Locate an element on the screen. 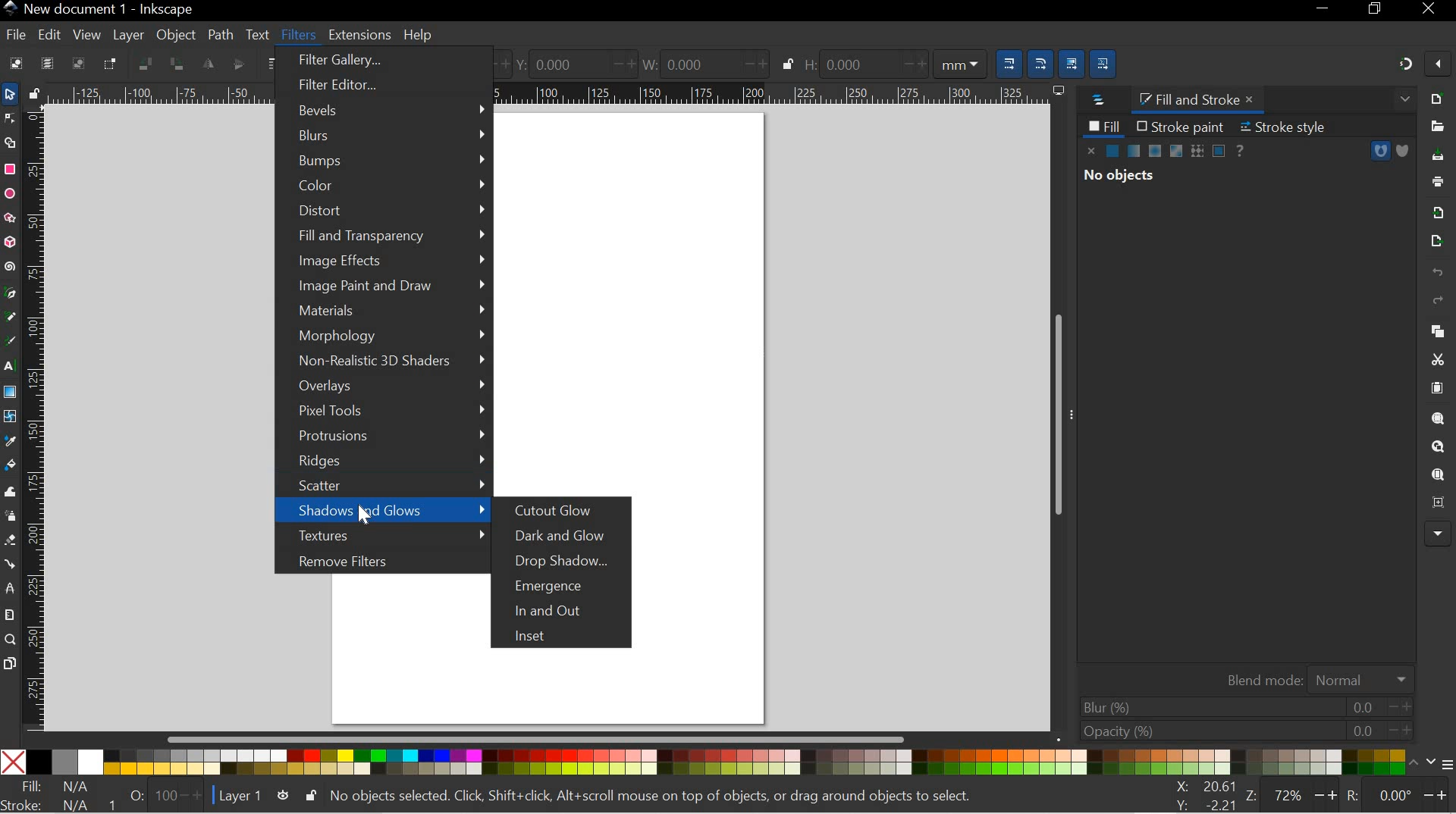 The width and height of the screenshot is (1456, 814). COLOR is located at coordinates (710, 763).